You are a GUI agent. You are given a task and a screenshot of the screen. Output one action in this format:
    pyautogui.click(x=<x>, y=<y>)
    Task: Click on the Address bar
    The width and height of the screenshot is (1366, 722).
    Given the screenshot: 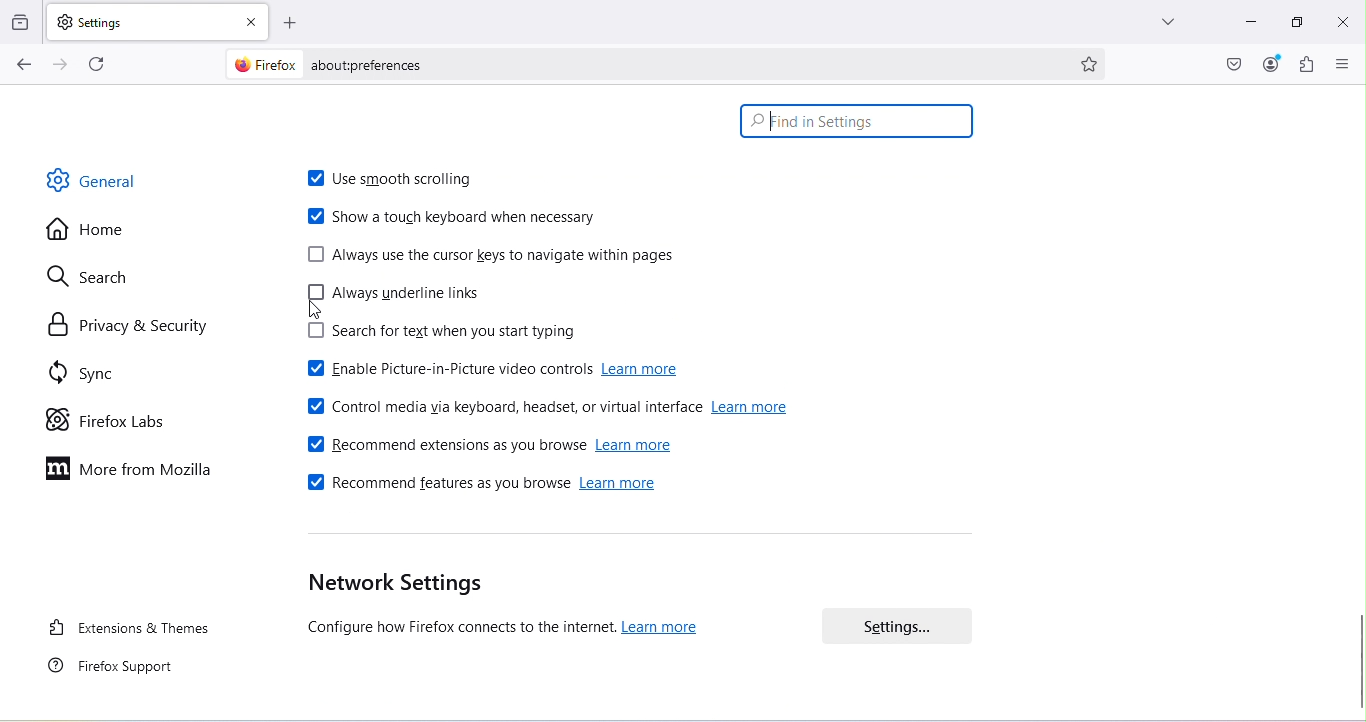 What is the action you would take?
    pyautogui.click(x=683, y=64)
    